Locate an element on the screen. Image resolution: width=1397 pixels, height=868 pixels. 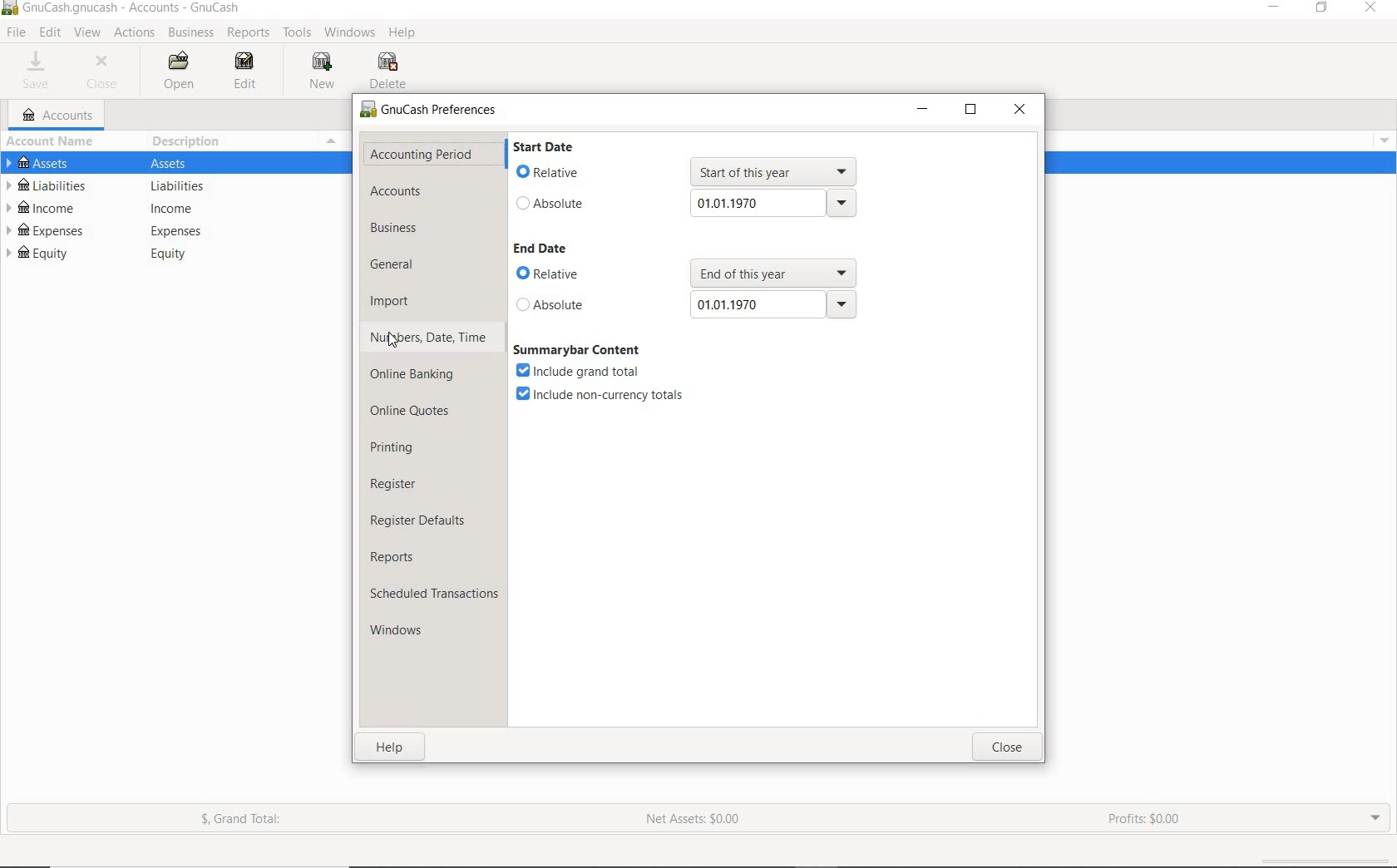
NEW is located at coordinates (320, 72).